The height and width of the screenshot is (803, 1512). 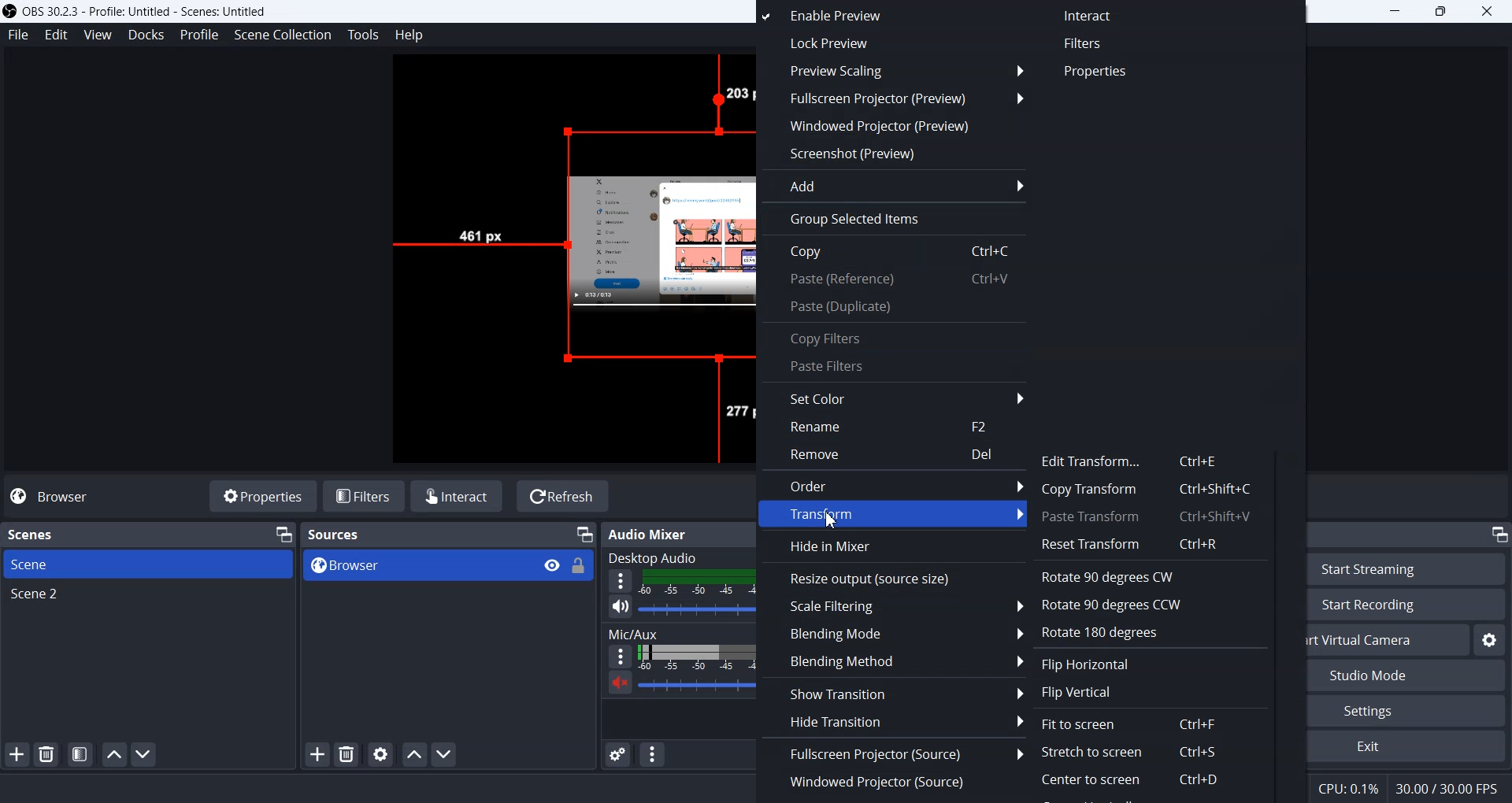 I want to click on Rotate 90 degree CW, so click(x=1149, y=576).